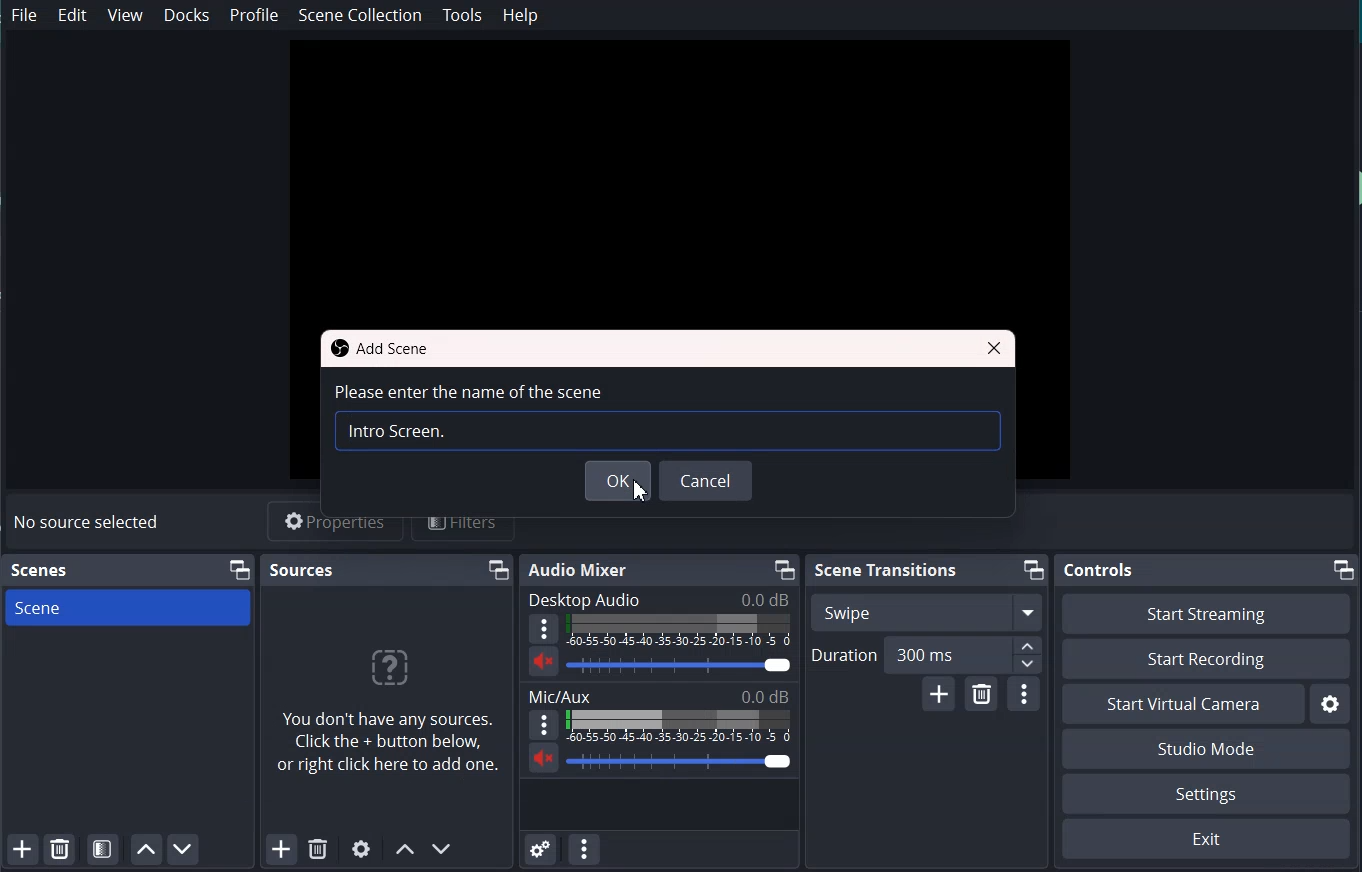 This screenshot has width=1362, height=872. What do you see at coordinates (621, 484) in the screenshot?
I see `OK` at bounding box center [621, 484].